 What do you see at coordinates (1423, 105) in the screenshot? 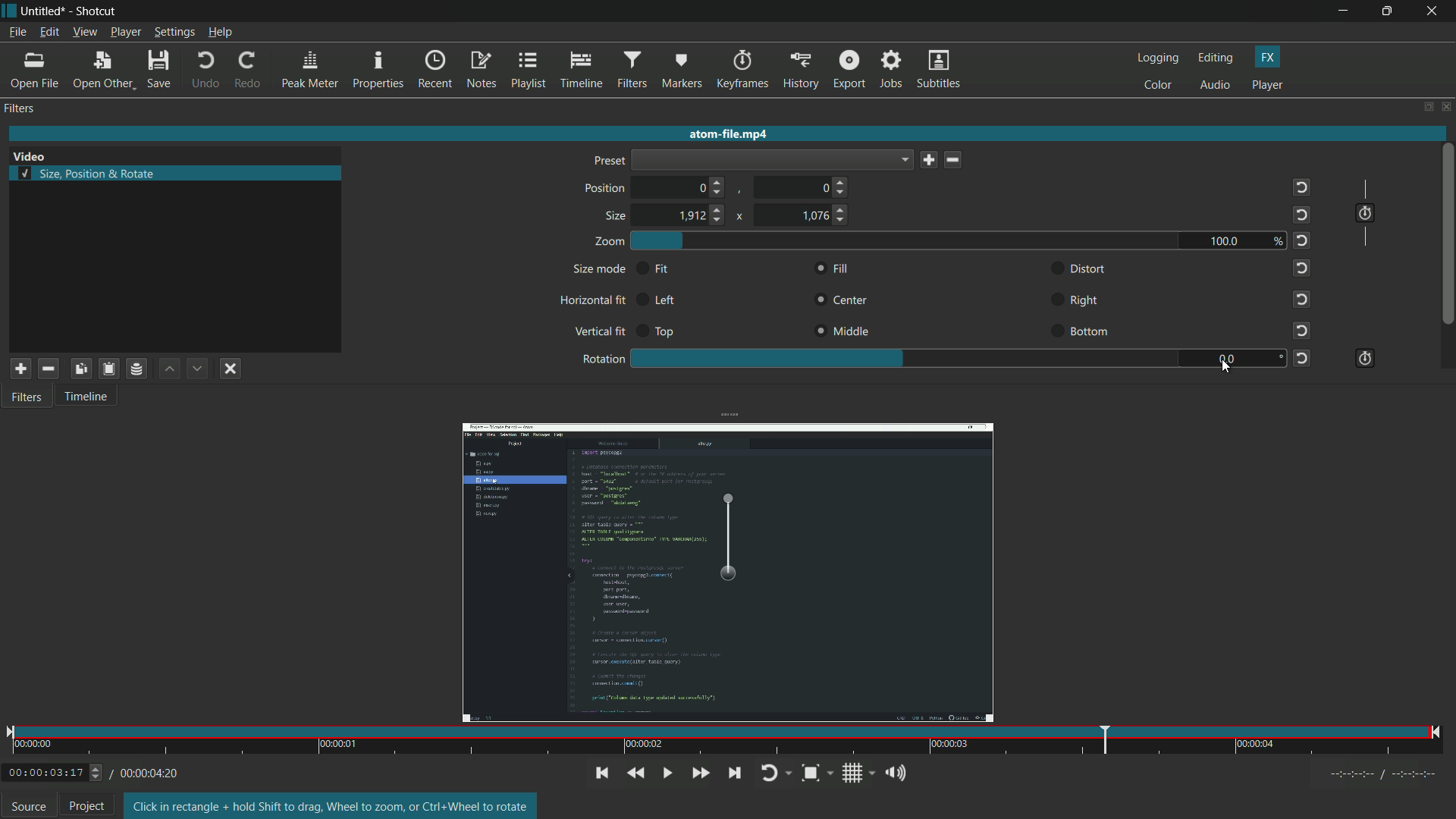
I see `change layout` at bounding box center [1423, 105].